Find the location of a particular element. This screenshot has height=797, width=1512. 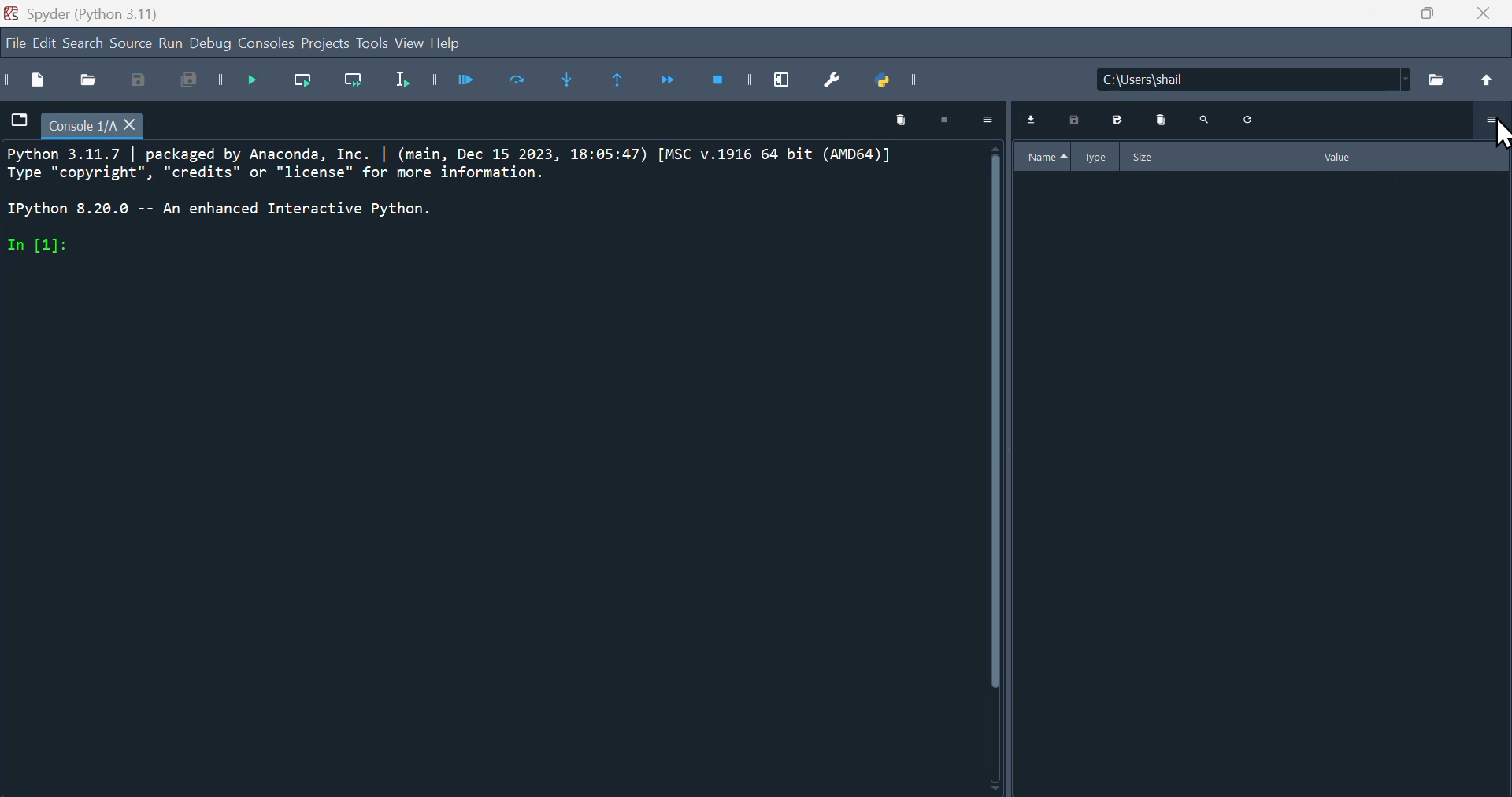

Maximise is located at coordinates (1434, 21).